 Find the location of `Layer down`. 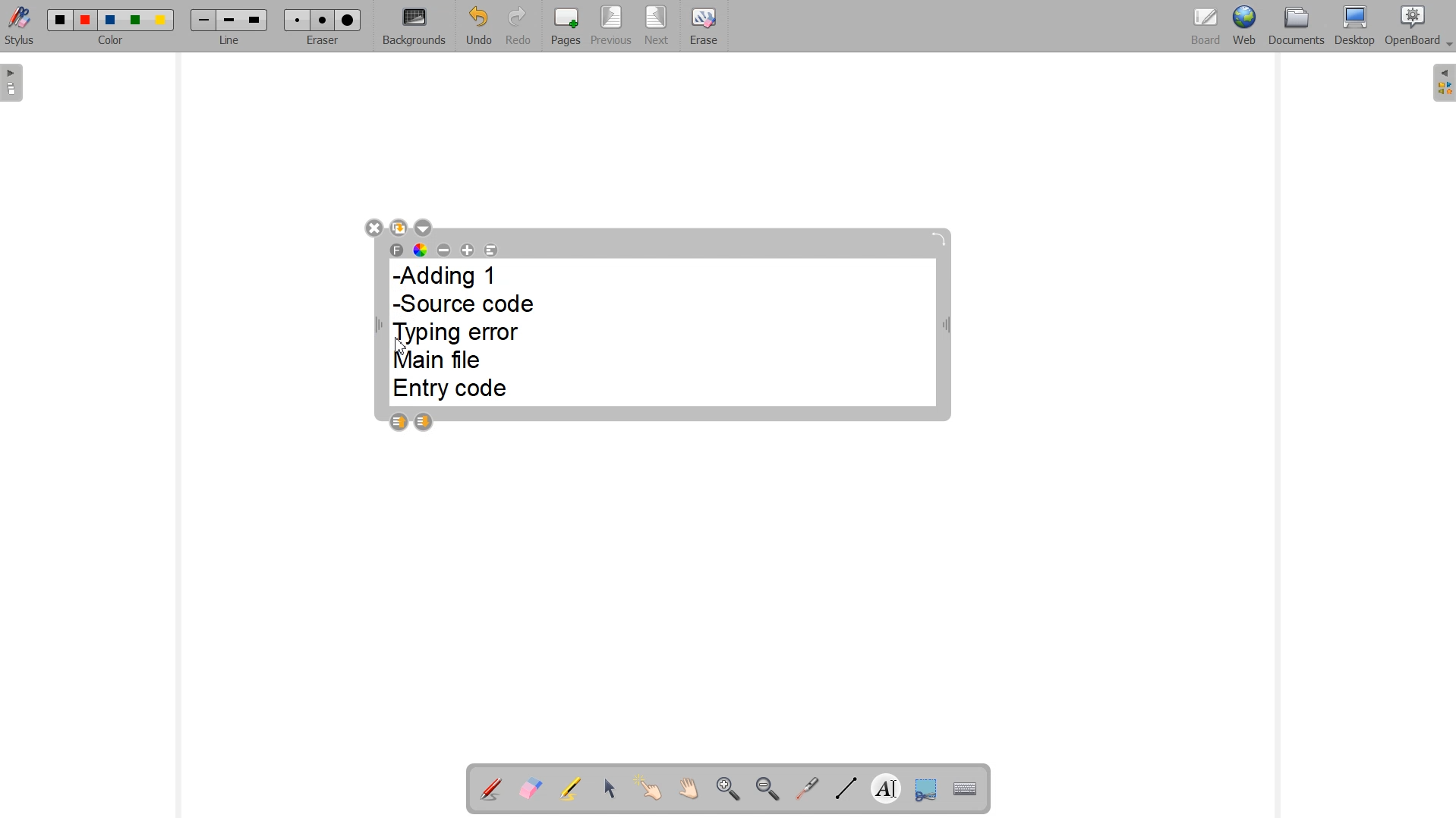

Layer down is located at coordinates (424, 422).